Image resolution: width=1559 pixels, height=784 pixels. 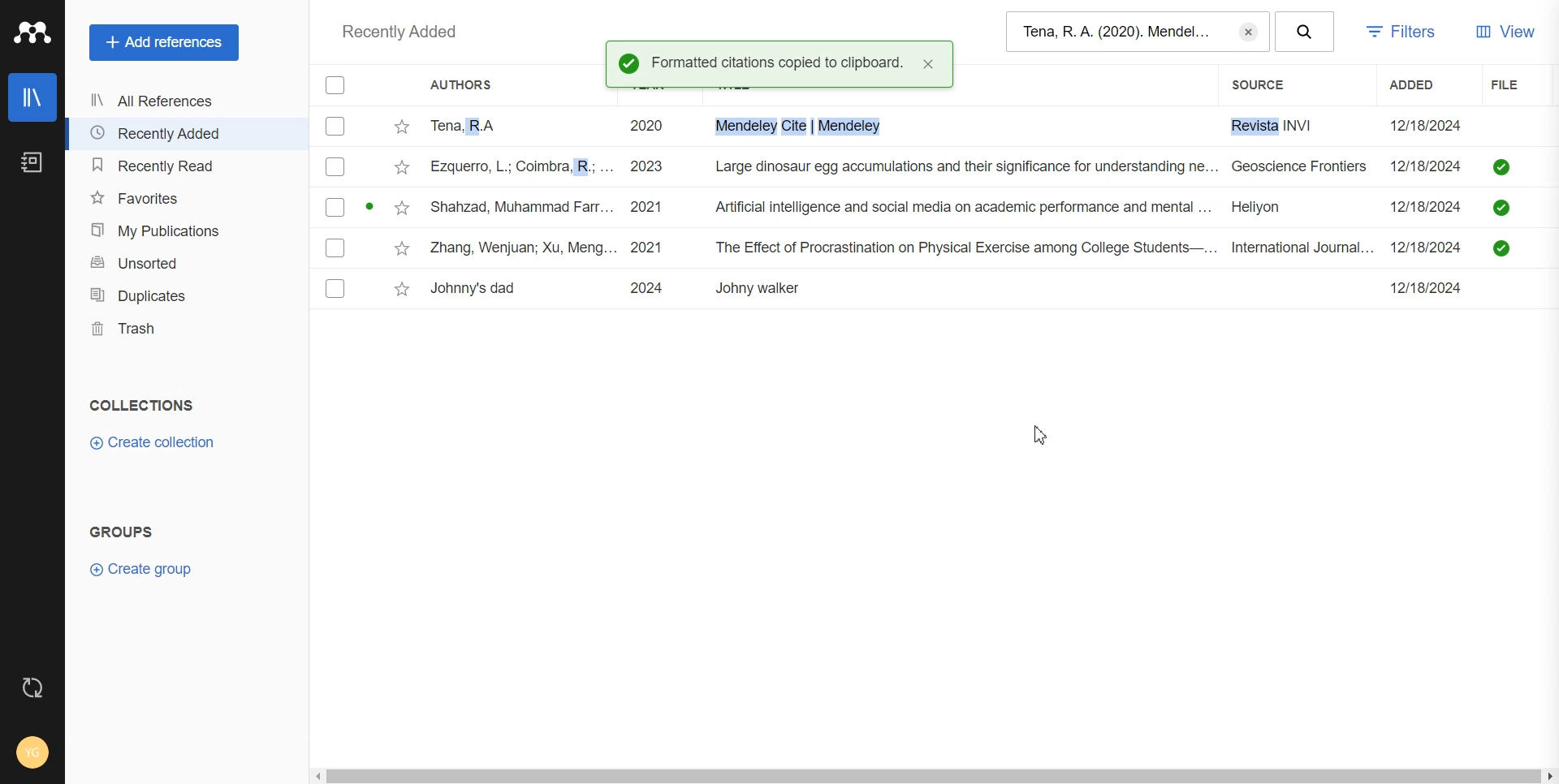 I want to click on Added, so click(x=1427, y=84).